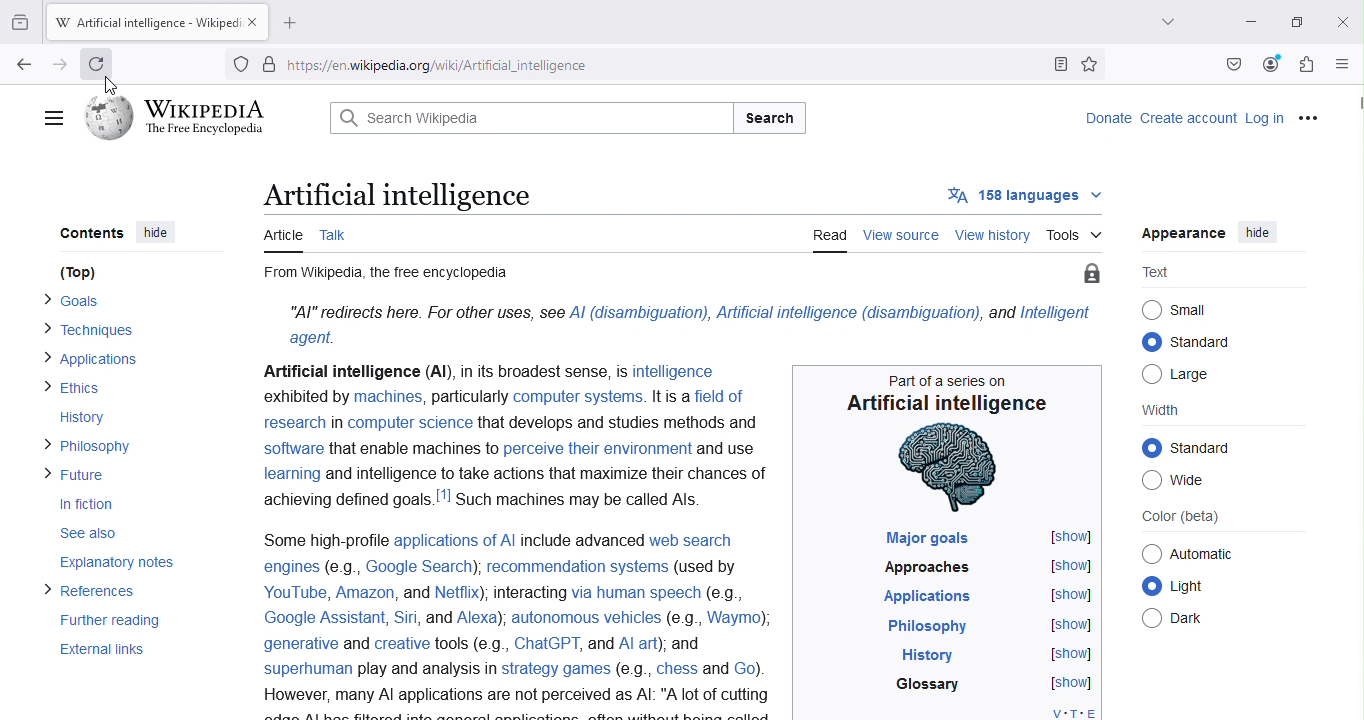 This screenshot has height=720, width=1364. Describe the element at coordinates (510, 694) in the screenshot. I see `However, many Al applications are not perceived as Al: "A lot of cutting` at that location.